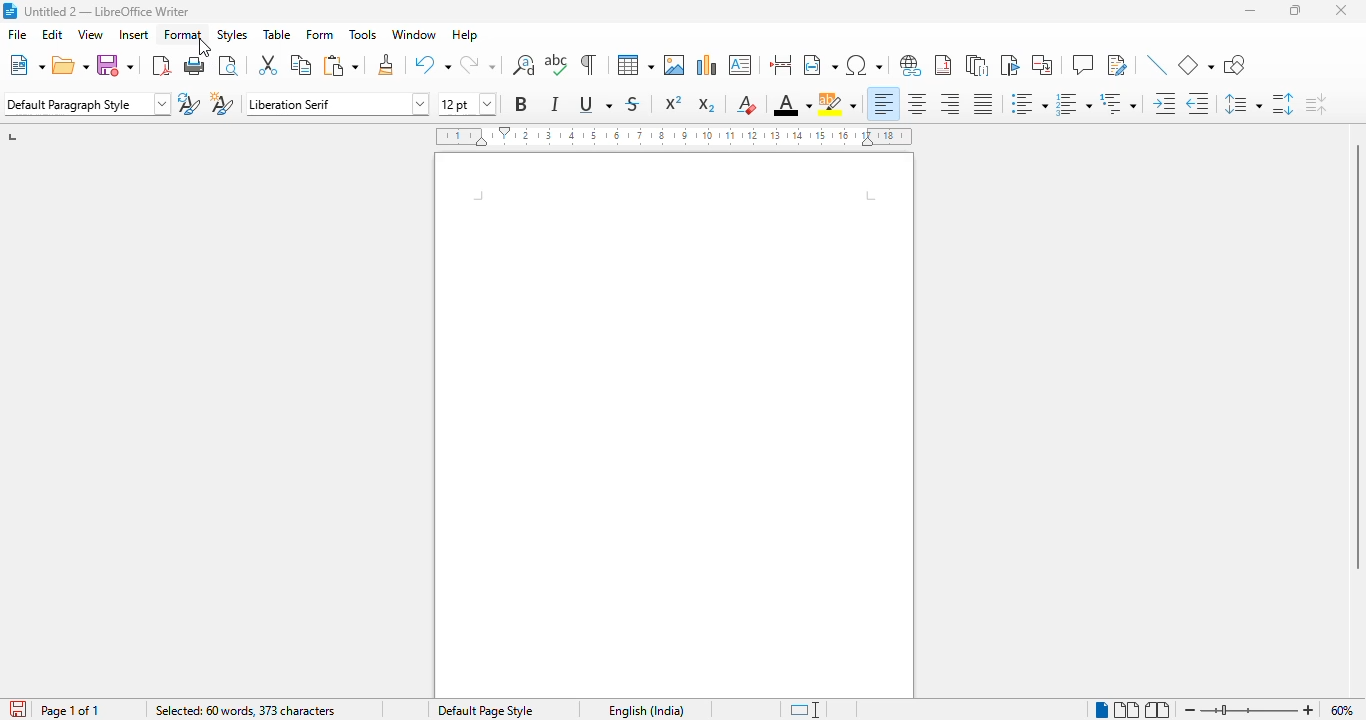  Describe the element at coordinates (320, 34) in the screenshot. I see `form` at that location.